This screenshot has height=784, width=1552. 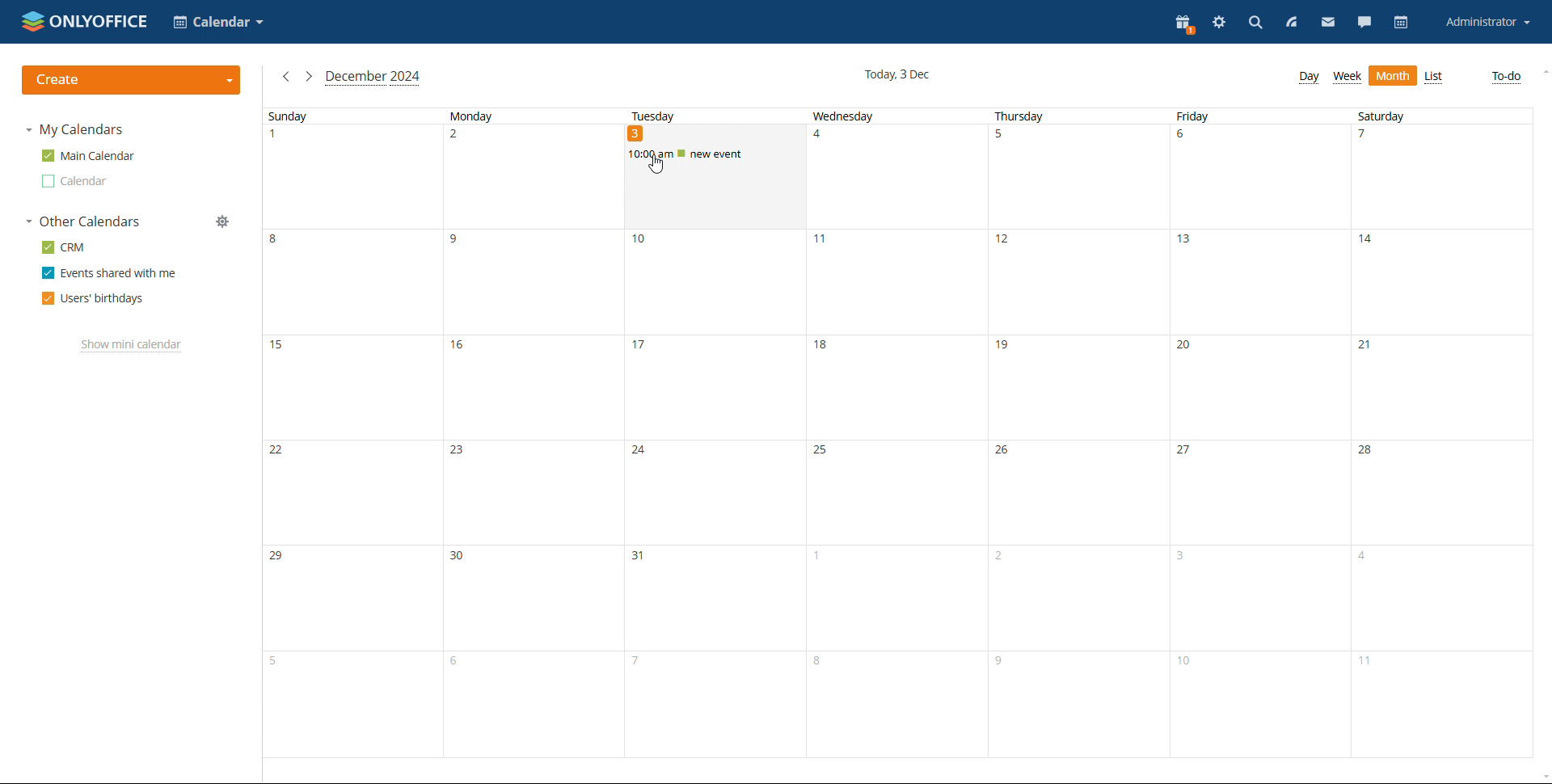 I want to click on Friday, so click(x=1255, y=116).